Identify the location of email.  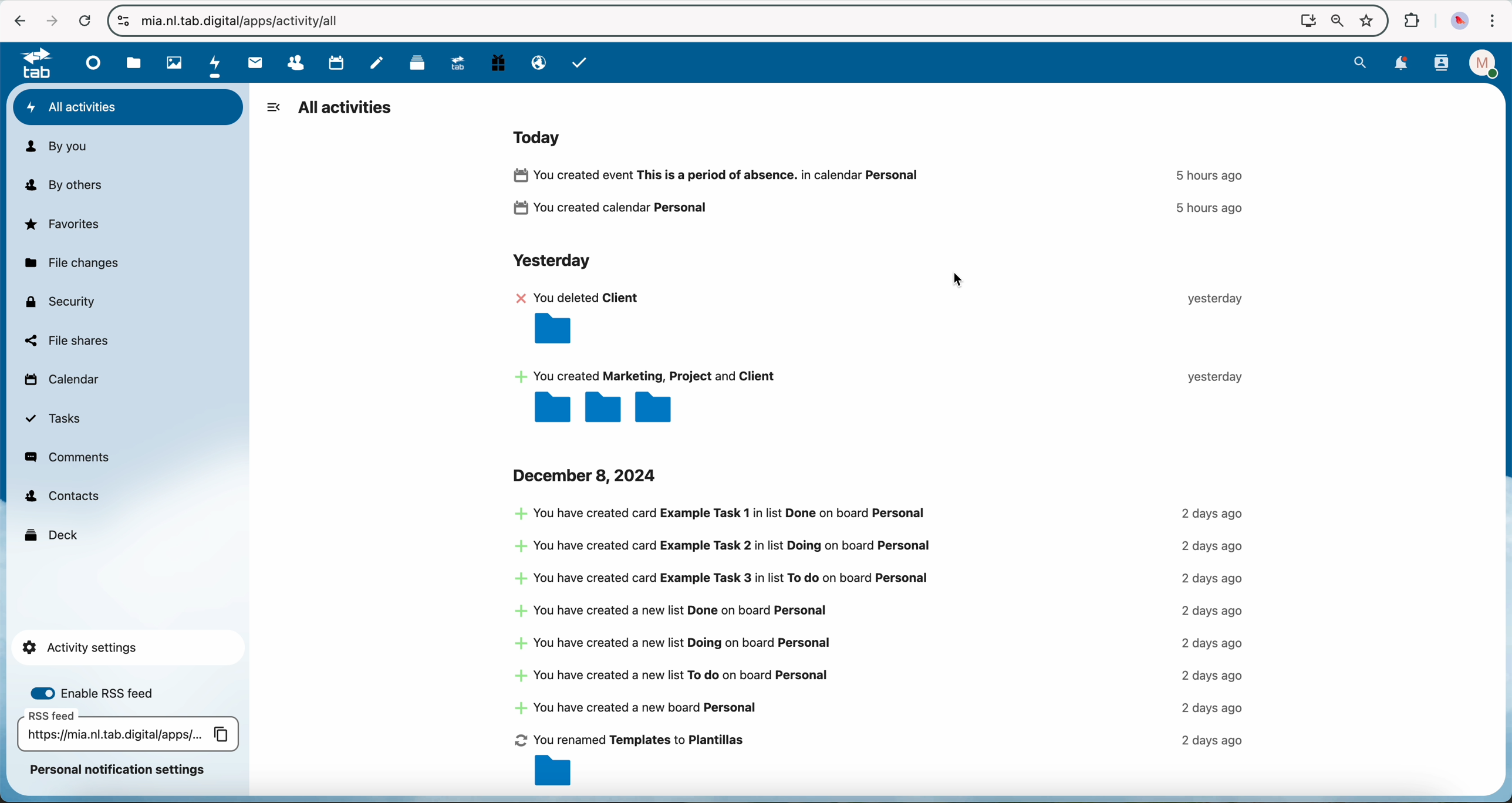
(538, 63).